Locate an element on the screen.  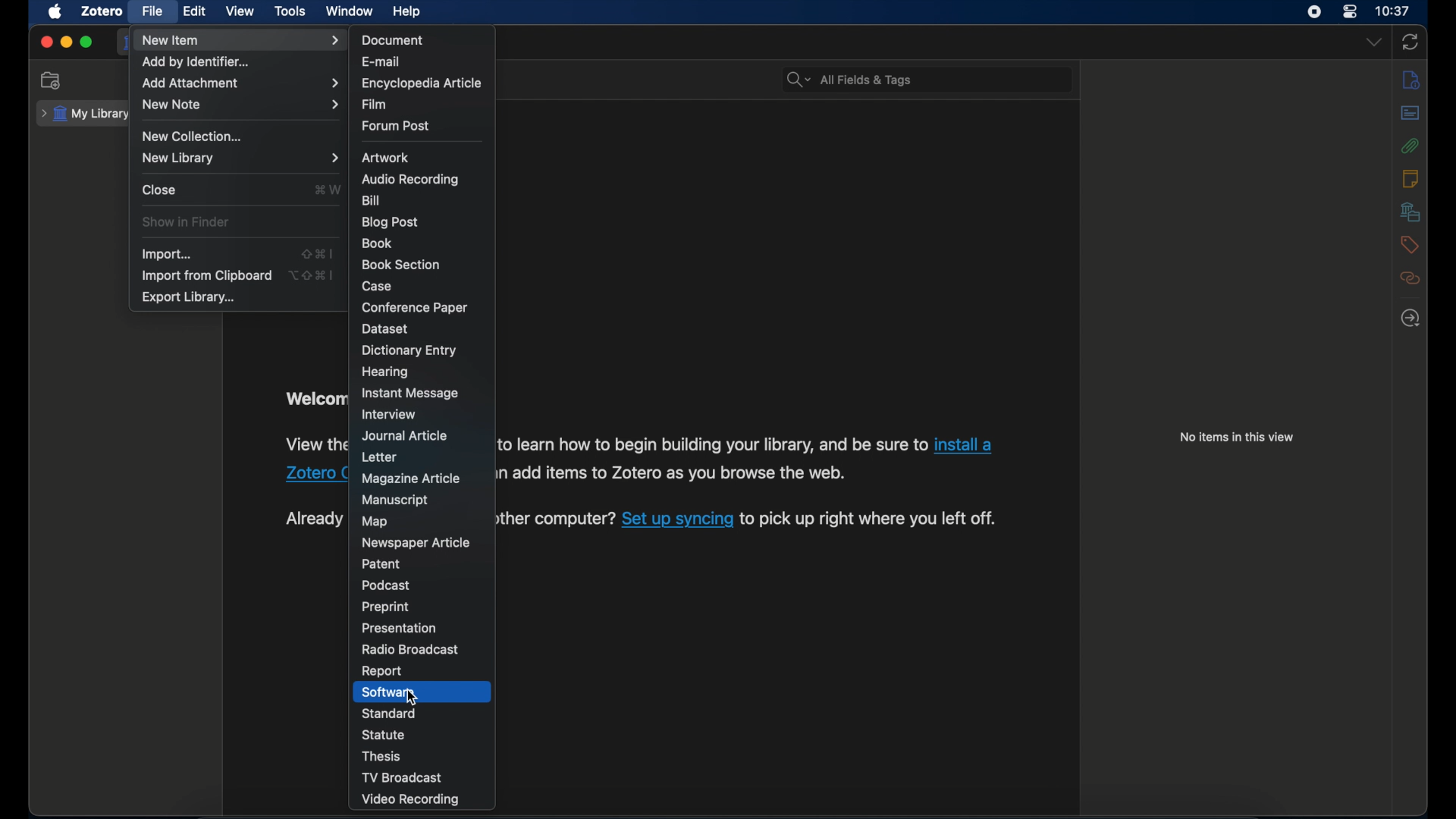
software information is located at coordinates (557, 518).